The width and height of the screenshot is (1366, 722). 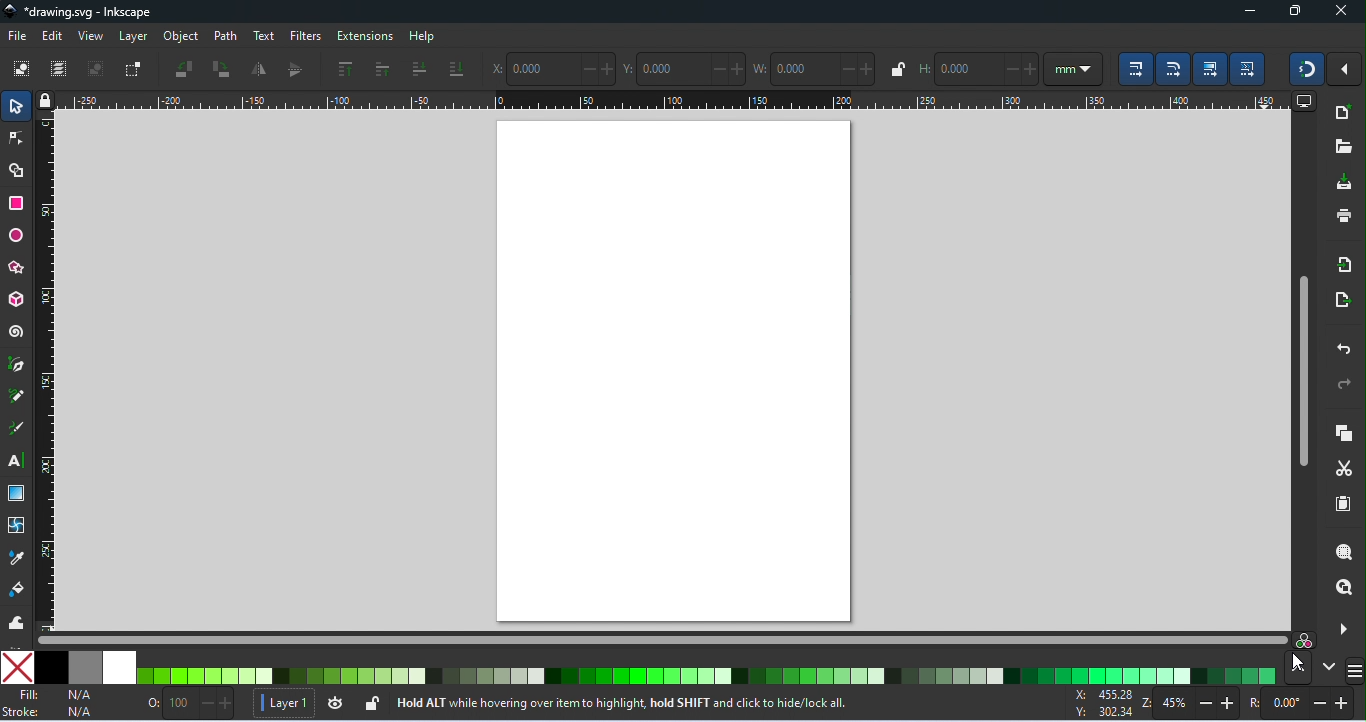 I want to click on help, so click(x=423, y=37).